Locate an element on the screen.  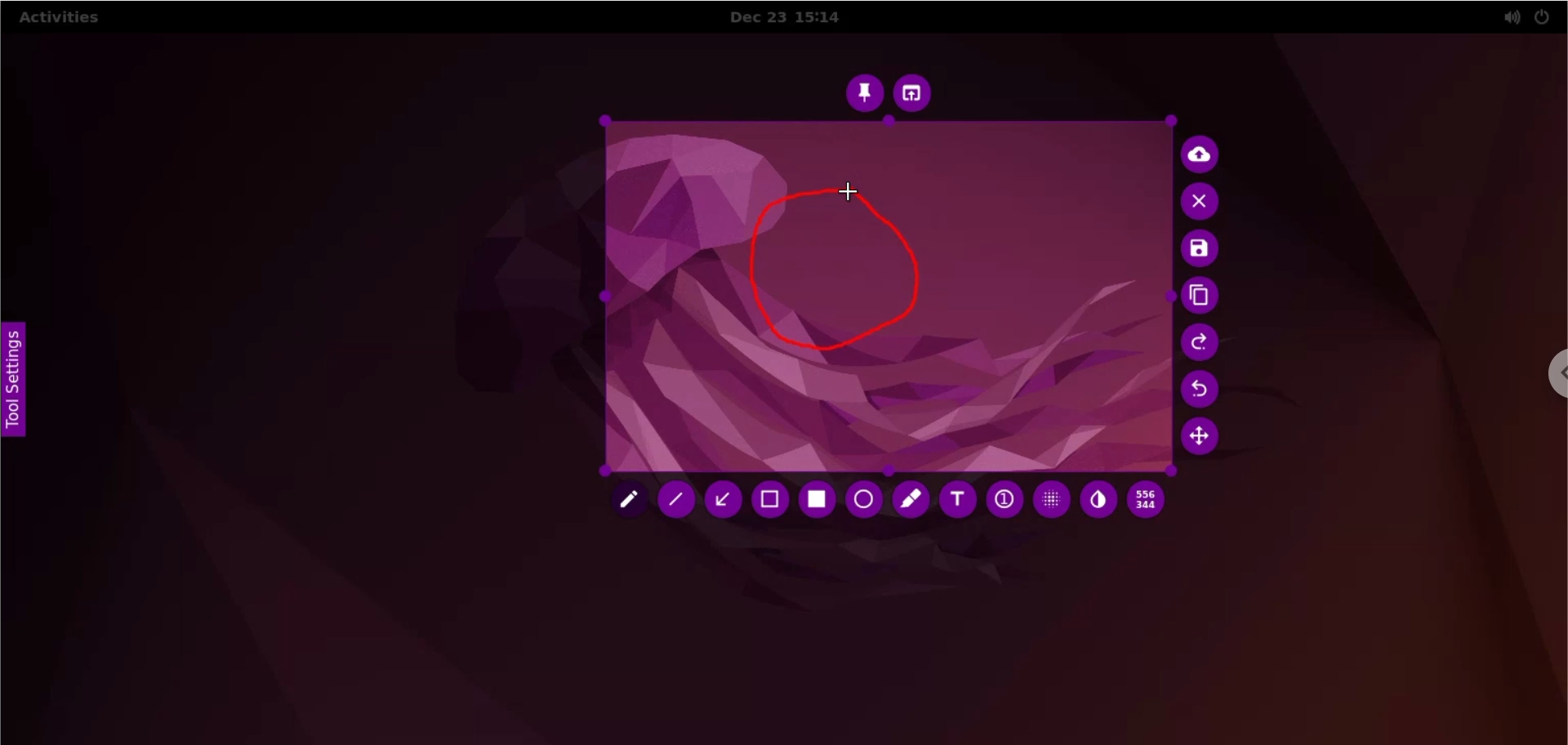
undo is located at coordinates (1204, 390).